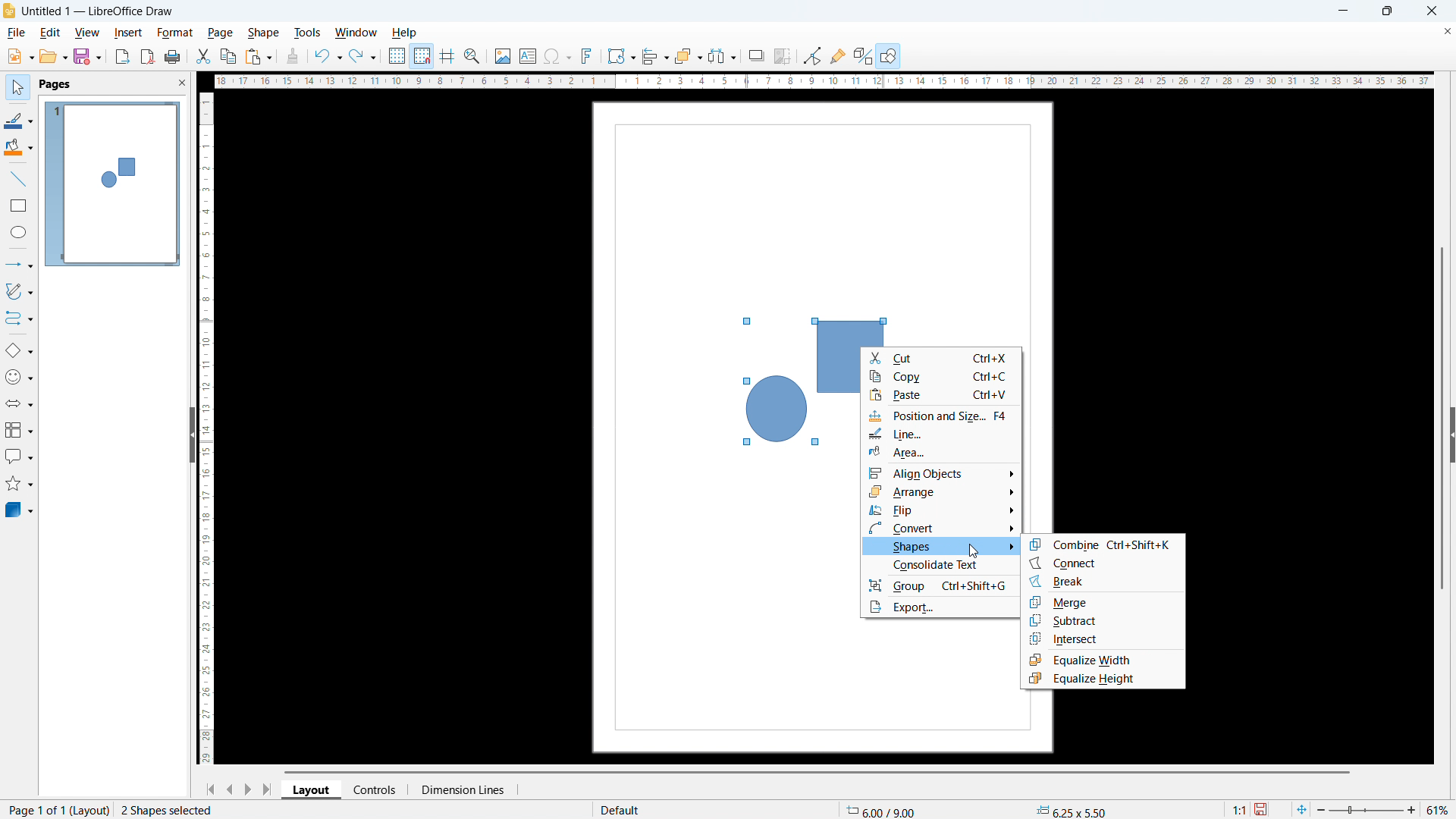 This screenshot has height=819, width=1456. What do you see at coordinates (863, 56) in the screenshot?
I see `toggle extrusion` at bounding box center [863, 56].